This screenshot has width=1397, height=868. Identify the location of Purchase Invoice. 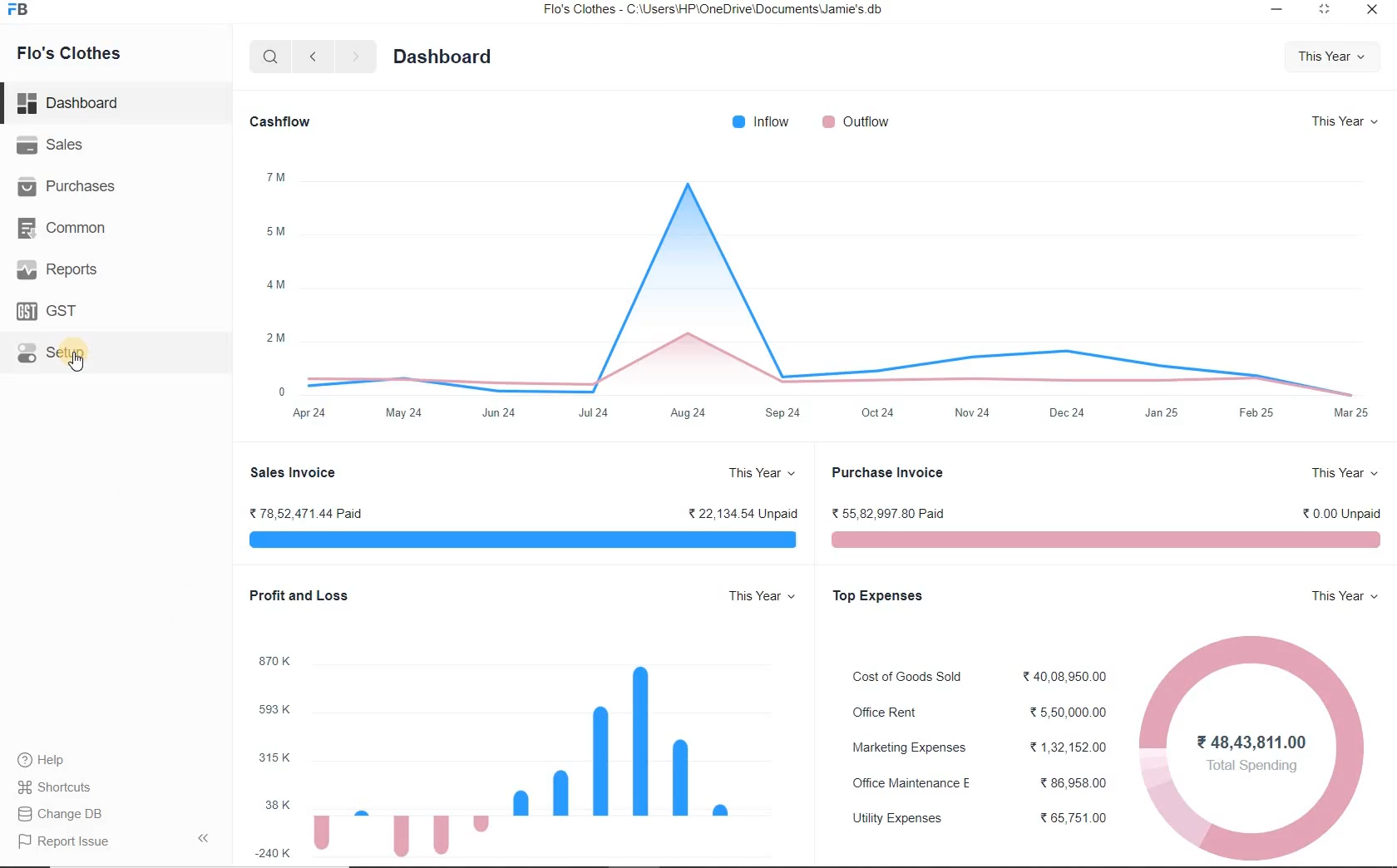
(886, 472).